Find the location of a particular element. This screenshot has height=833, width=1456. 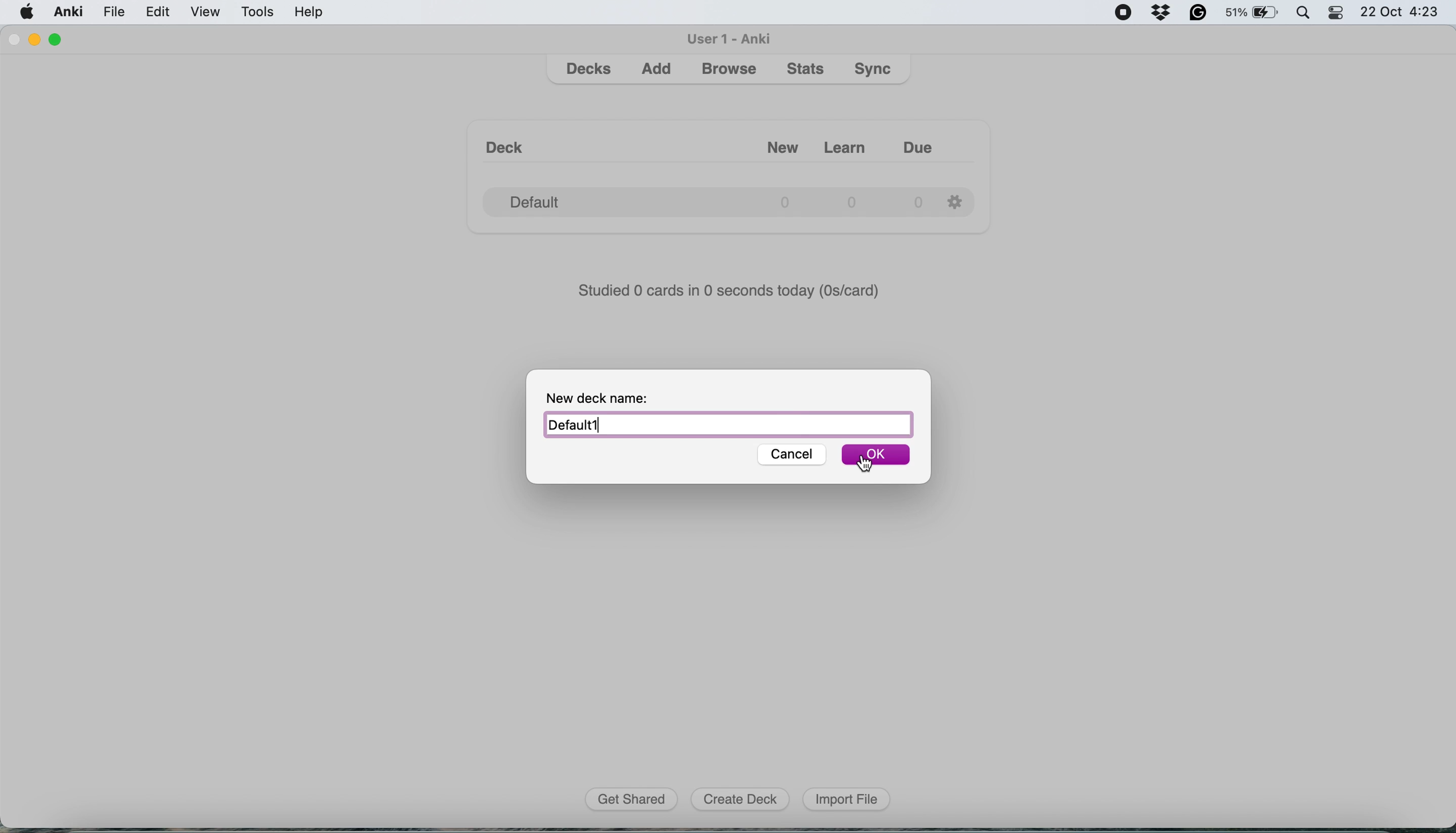

screen recorder is located at coordinates (1127, 12).